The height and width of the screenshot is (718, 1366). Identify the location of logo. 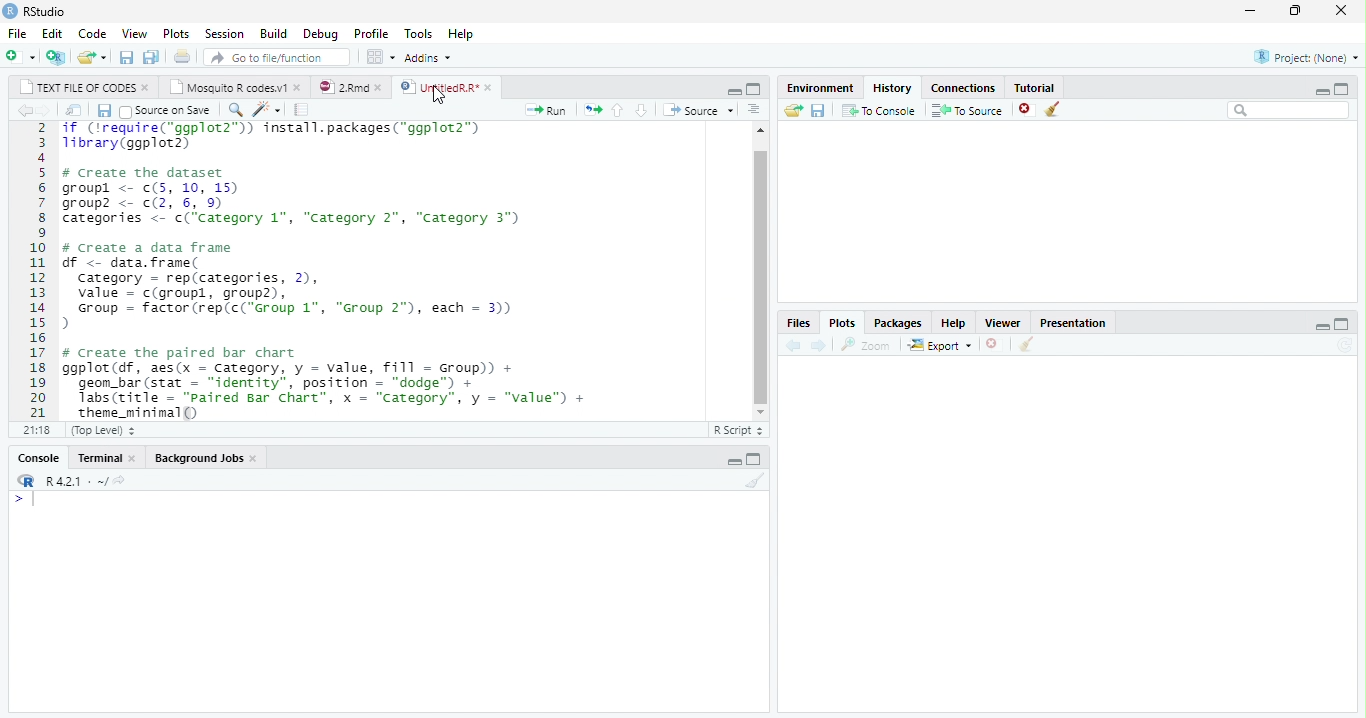
(11, 12).